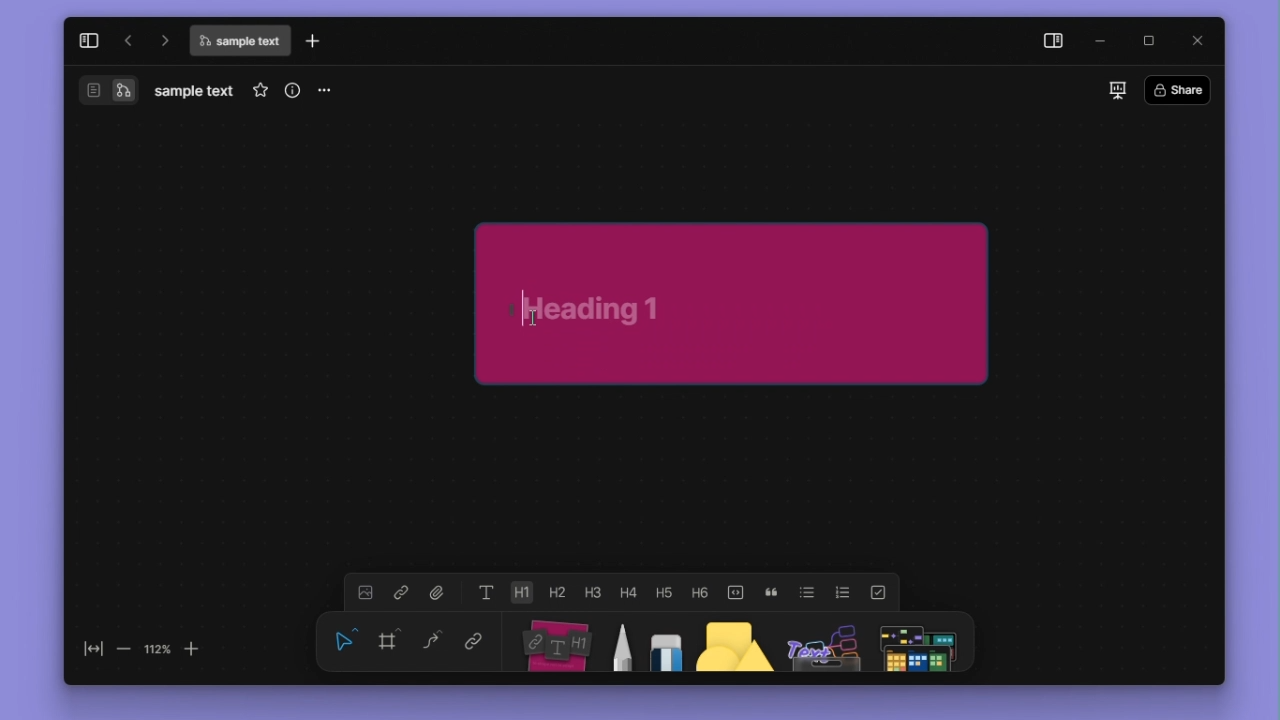 The image size is (1280, 720). What do you see at coordinates (191, 650) in the screenshot?
I see `zoom in` at bounding box center [191, 650].